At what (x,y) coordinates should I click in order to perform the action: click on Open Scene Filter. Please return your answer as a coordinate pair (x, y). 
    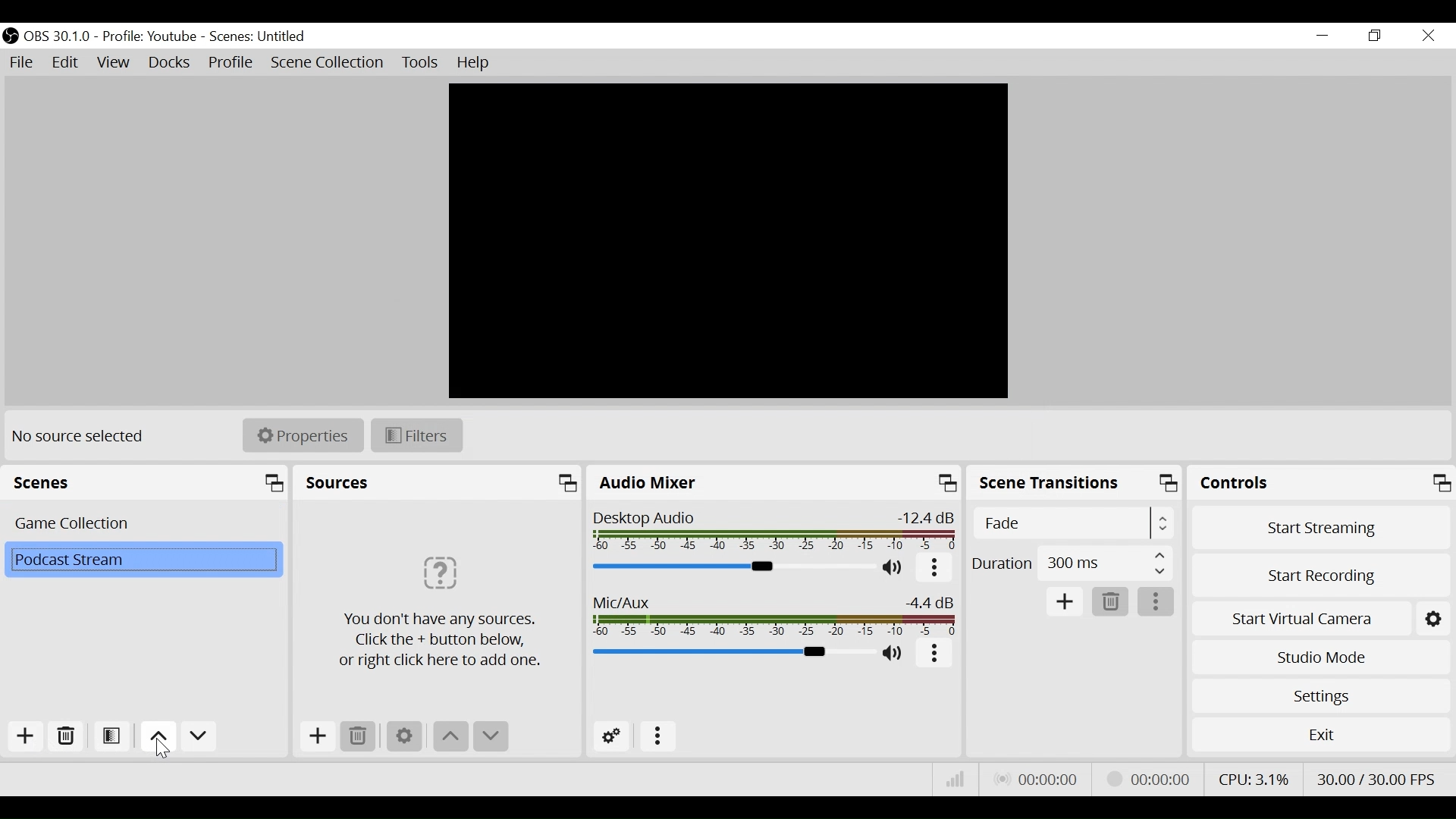
    Looking at the image, I should click on (113, 738).